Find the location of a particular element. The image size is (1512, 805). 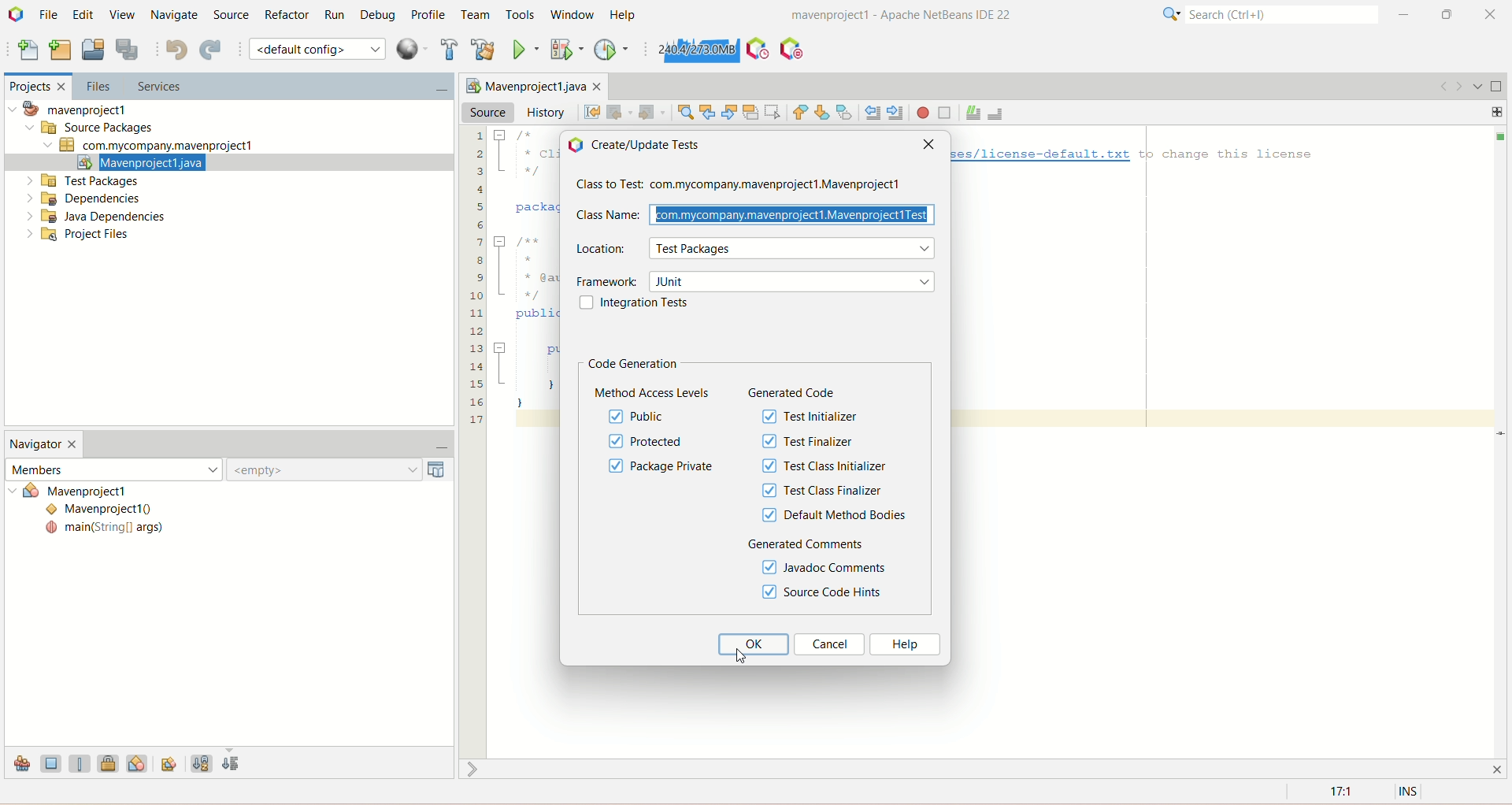

maximize is located at coordinates (1447, 14).